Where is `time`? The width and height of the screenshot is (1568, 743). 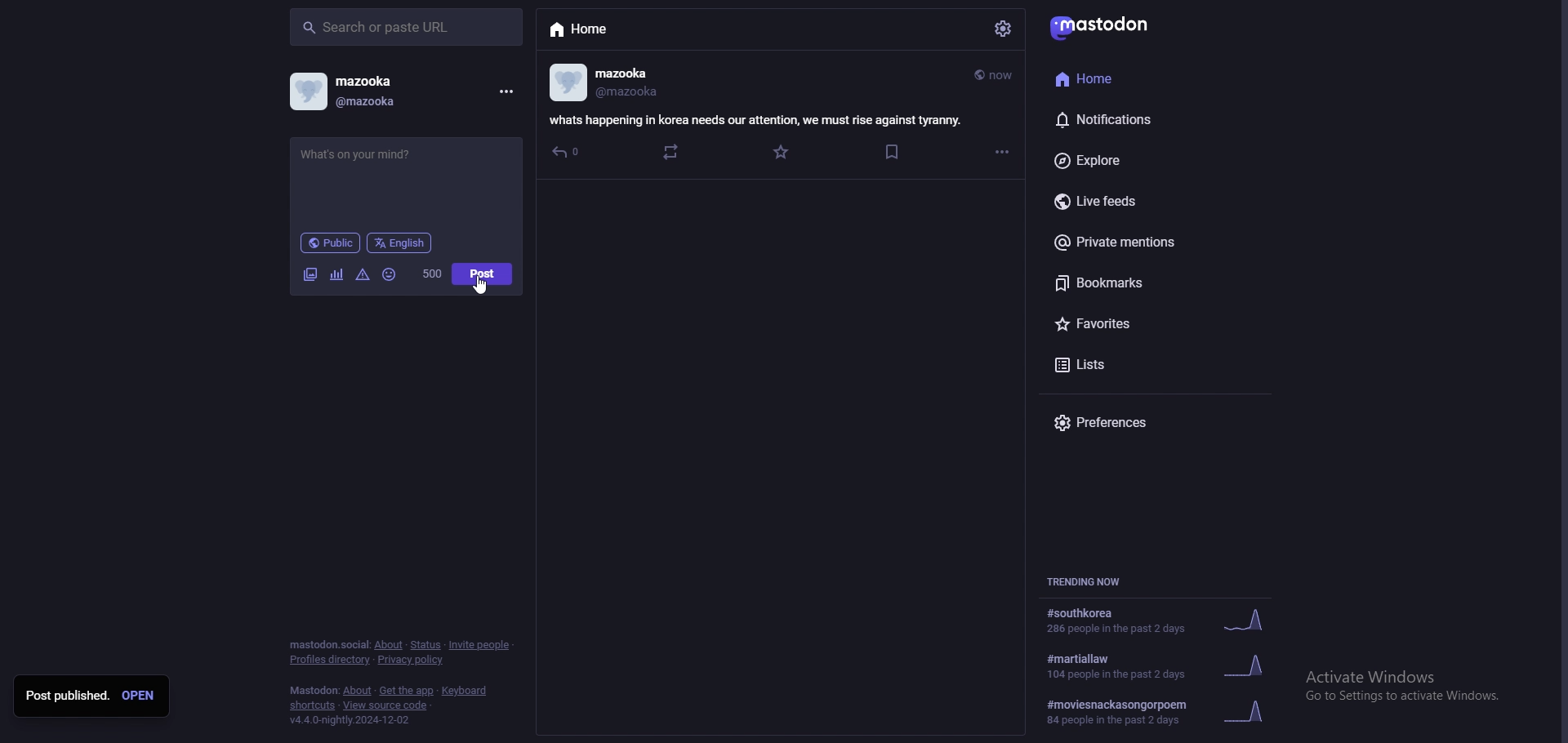 time is located at coordinates (992, 77).